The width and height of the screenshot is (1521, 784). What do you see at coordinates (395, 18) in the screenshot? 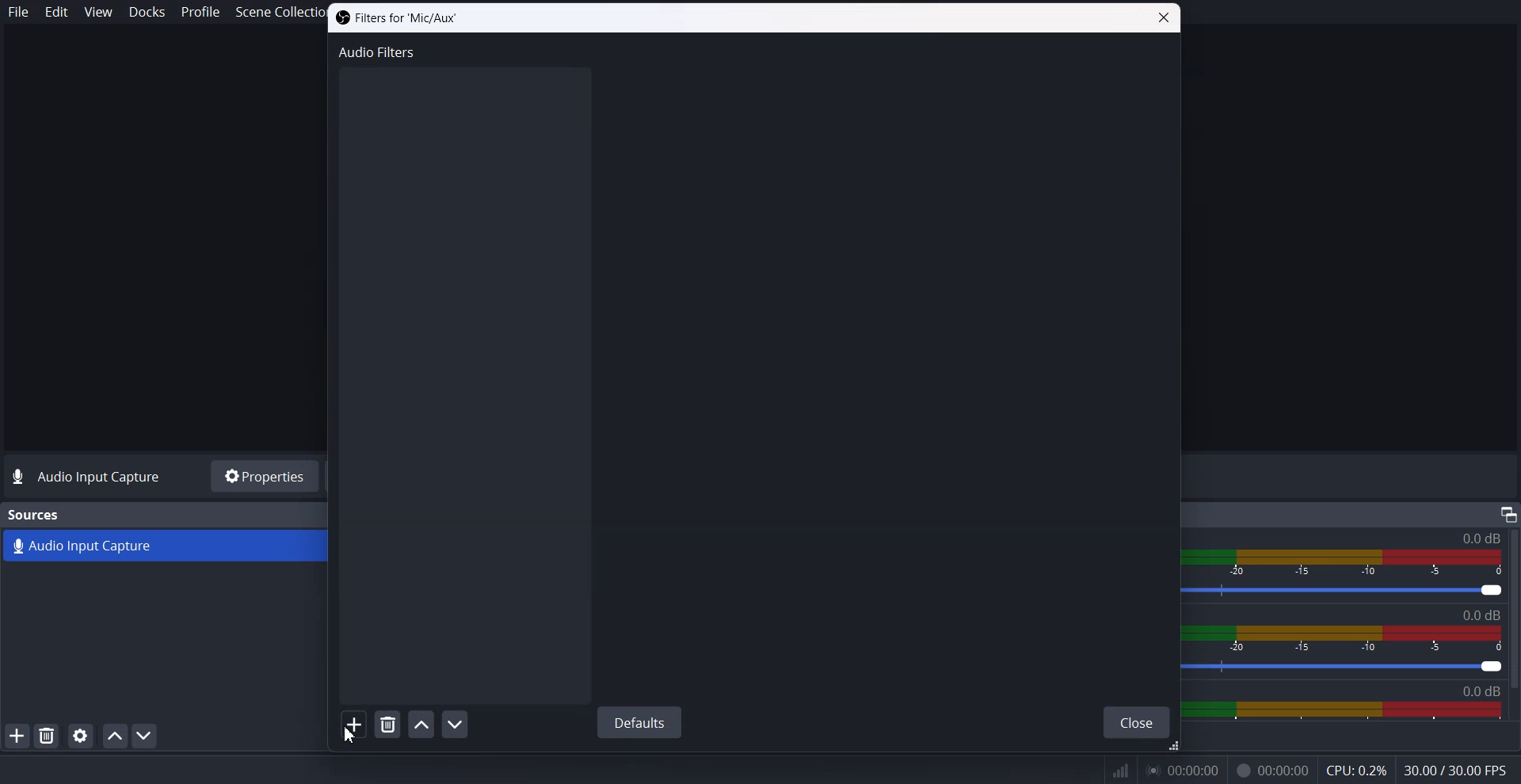
I see `Text` at bounding box center [395, 18].